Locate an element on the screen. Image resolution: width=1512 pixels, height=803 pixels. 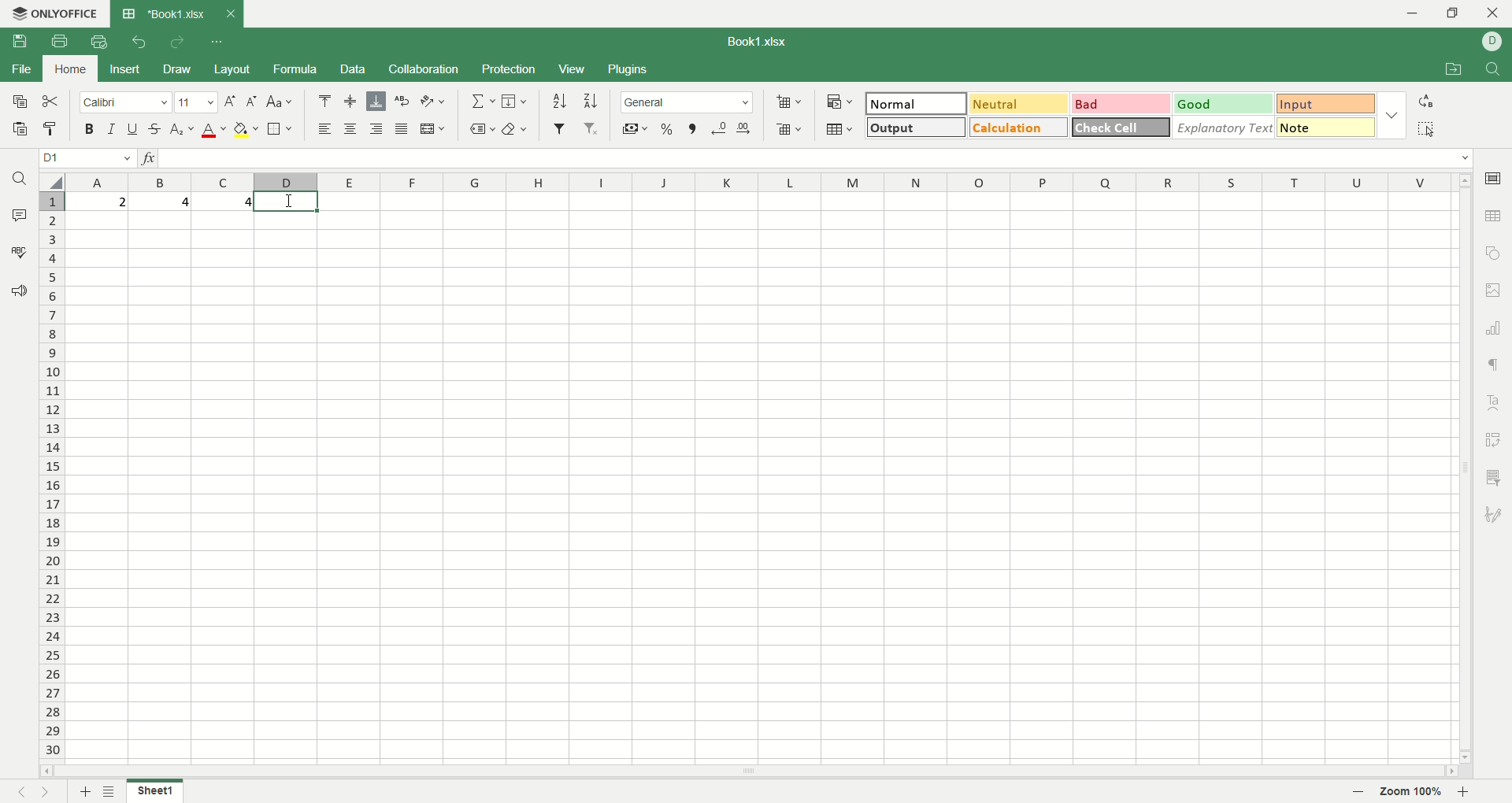
data is located at coordinates (355, 69).